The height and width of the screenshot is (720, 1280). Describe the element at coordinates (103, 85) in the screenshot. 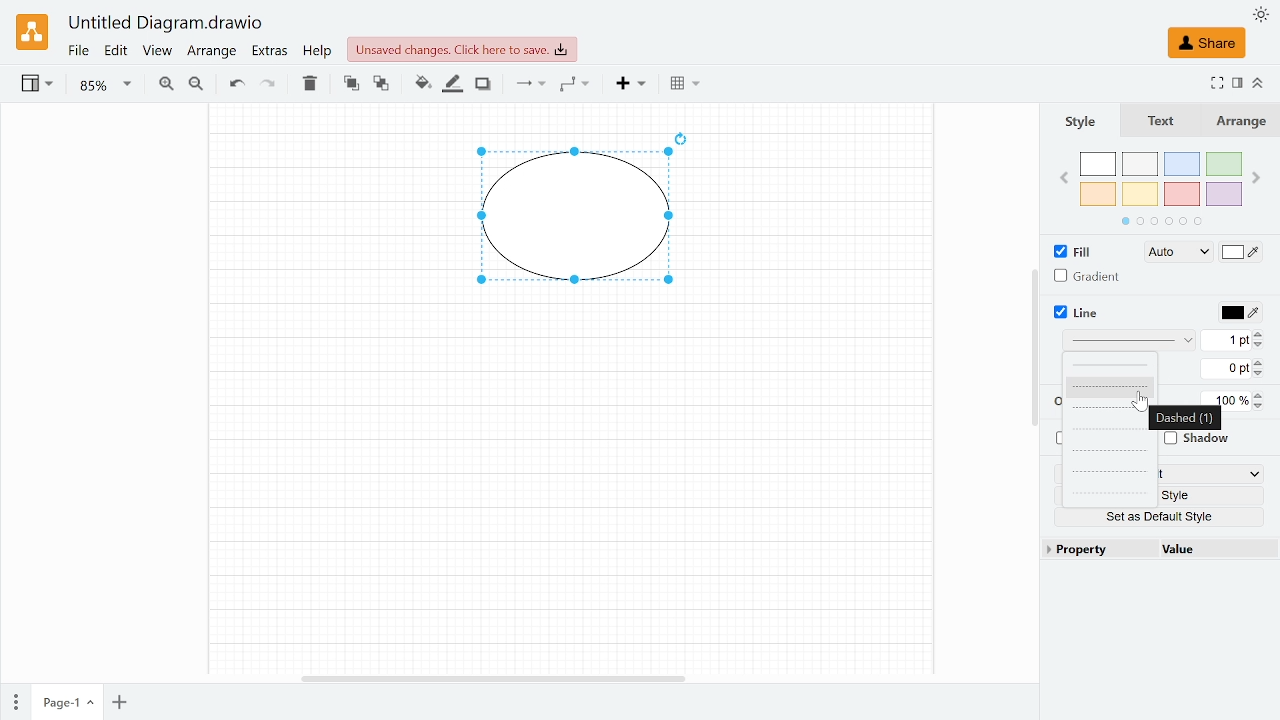

I see `Zoom` at that location.